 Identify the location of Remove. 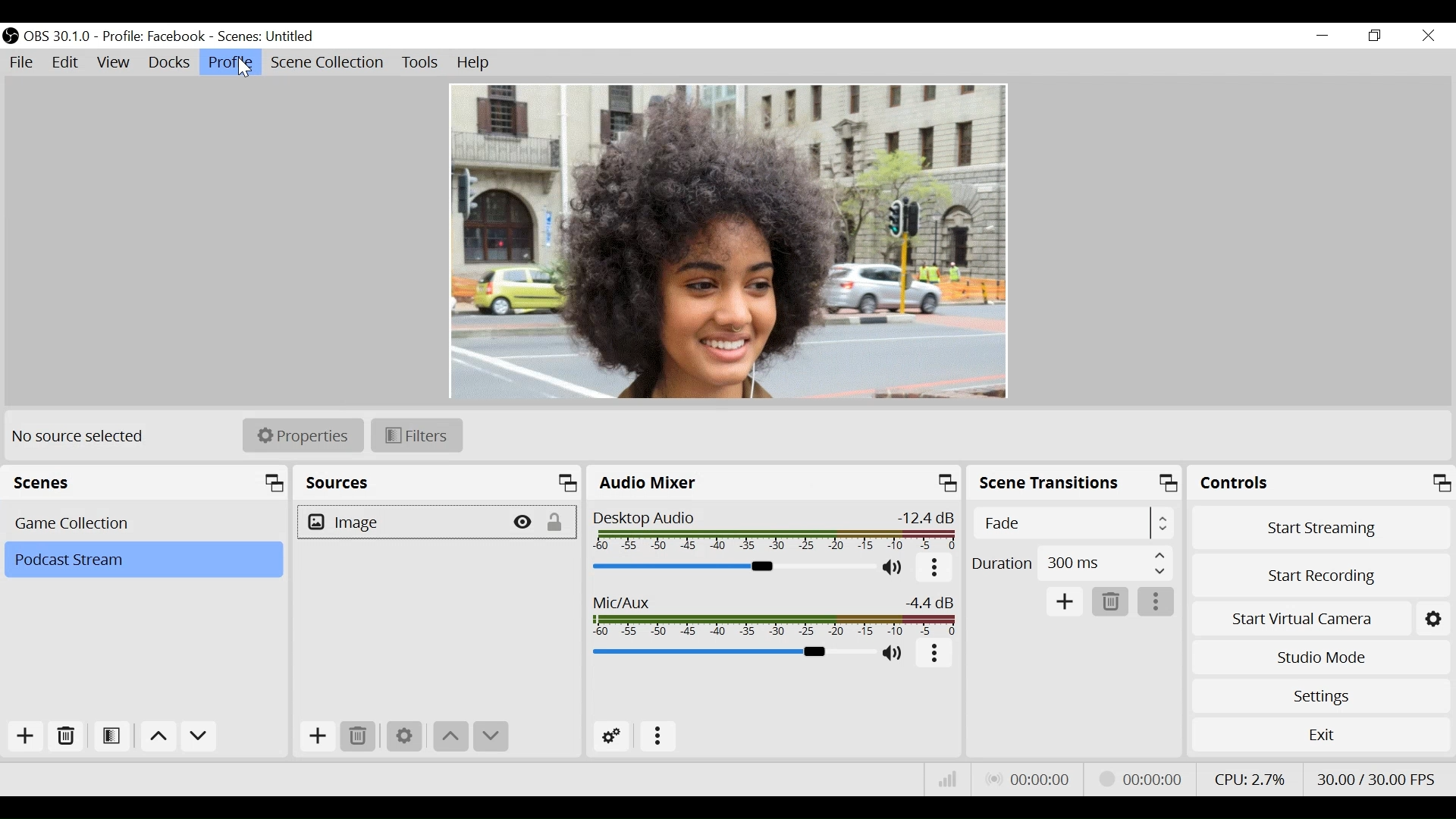
(1112, 602).